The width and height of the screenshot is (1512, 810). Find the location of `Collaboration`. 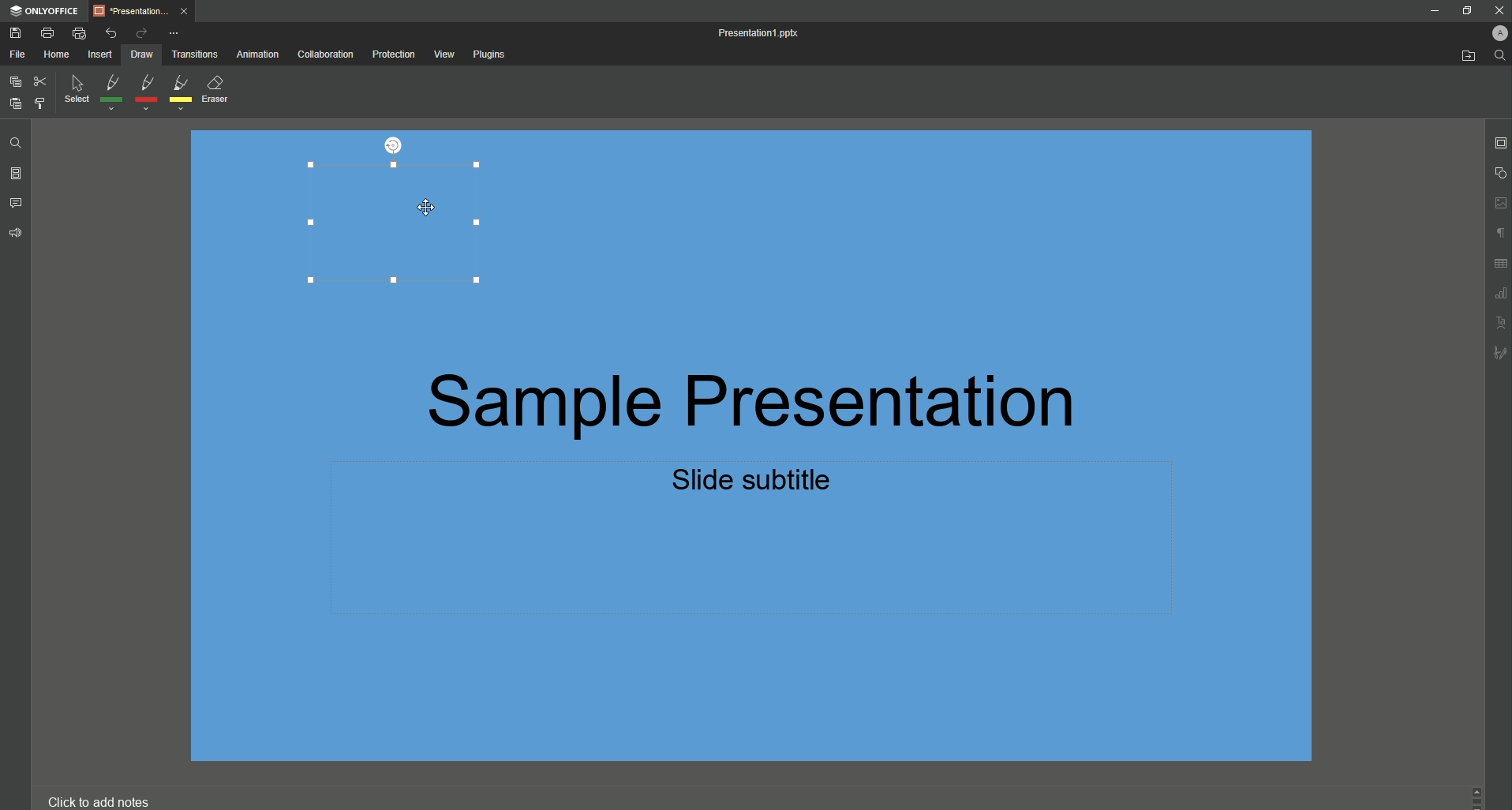

Collaboration is located at coordinates (324, 55).